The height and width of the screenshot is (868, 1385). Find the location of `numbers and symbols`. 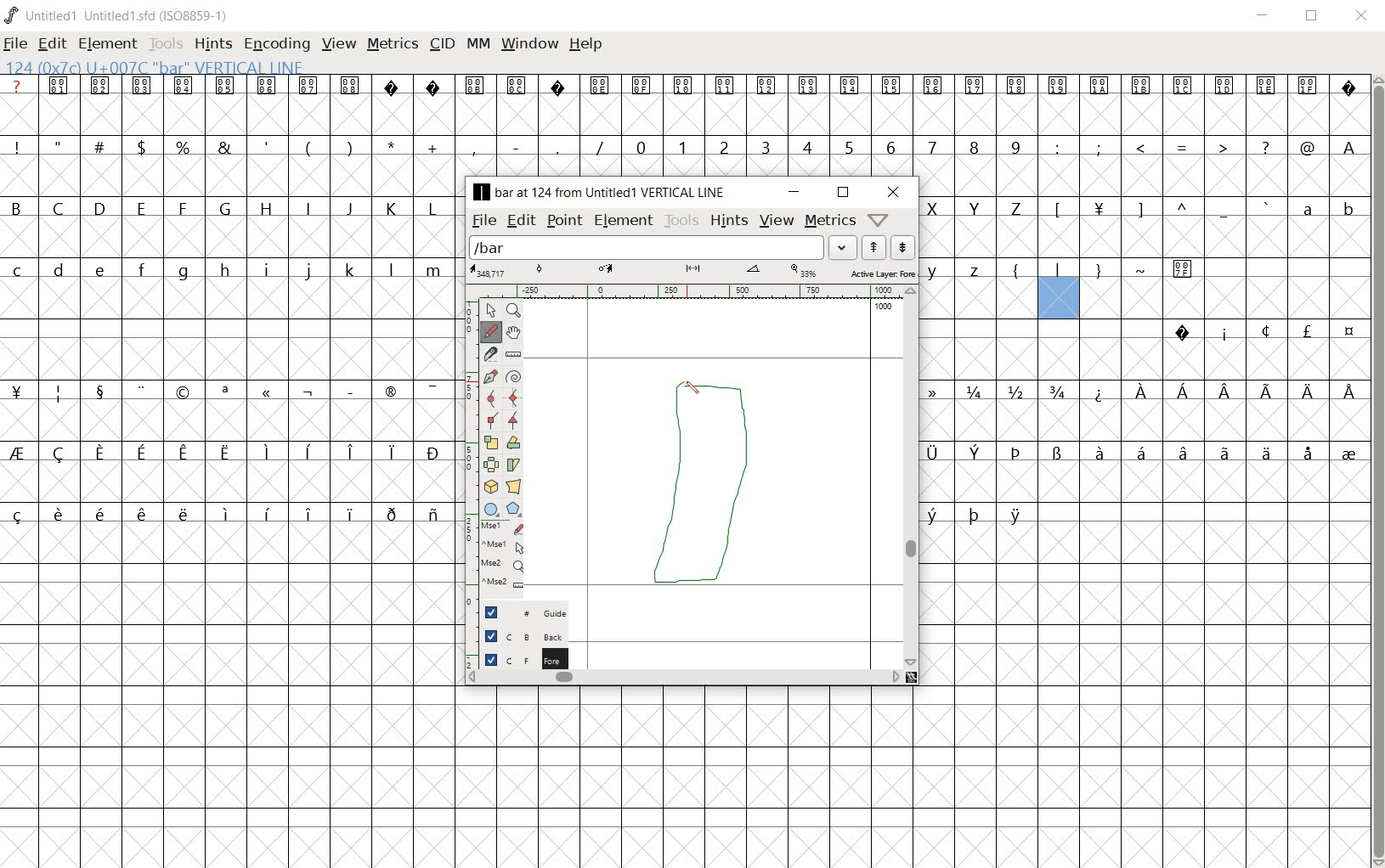

numbers and symbols is located at coordinates (685, 146).